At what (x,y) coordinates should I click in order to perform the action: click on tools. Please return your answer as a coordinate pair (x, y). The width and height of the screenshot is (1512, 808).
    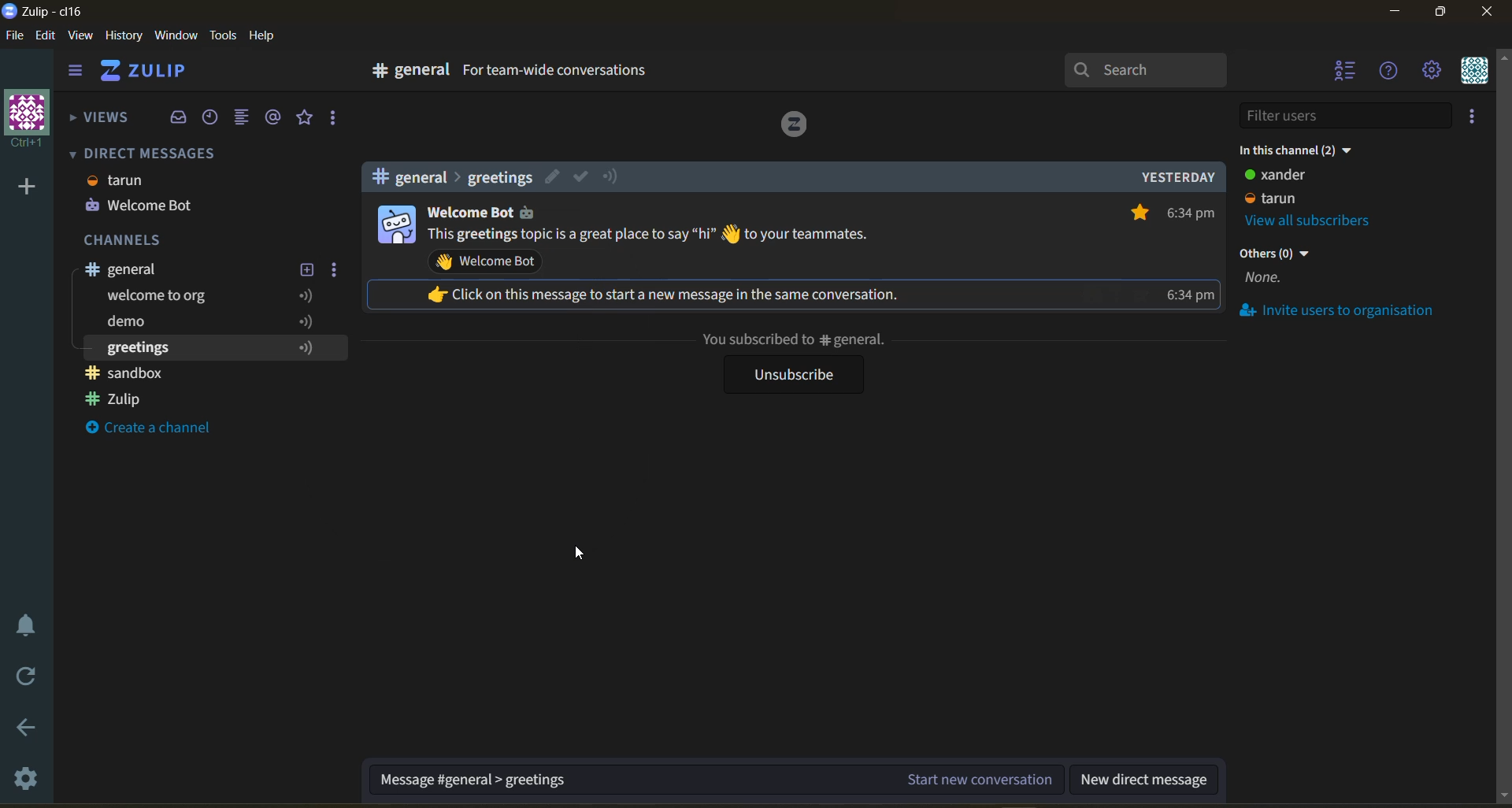
    Looking at the image, I should click on (222, 38).